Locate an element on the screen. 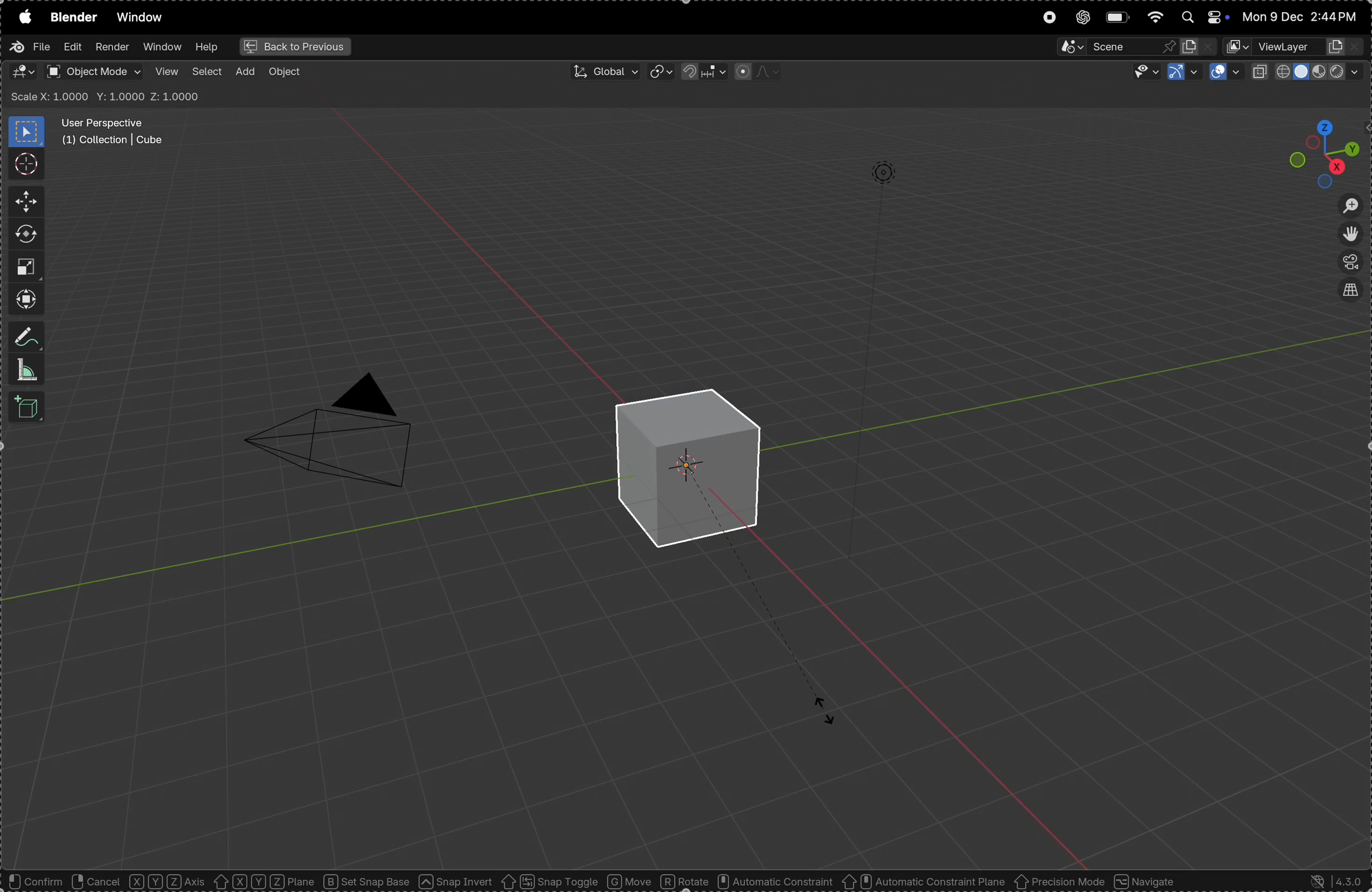 The image size is (1372, 892). CURSOR is located at coordinates (836, 719).